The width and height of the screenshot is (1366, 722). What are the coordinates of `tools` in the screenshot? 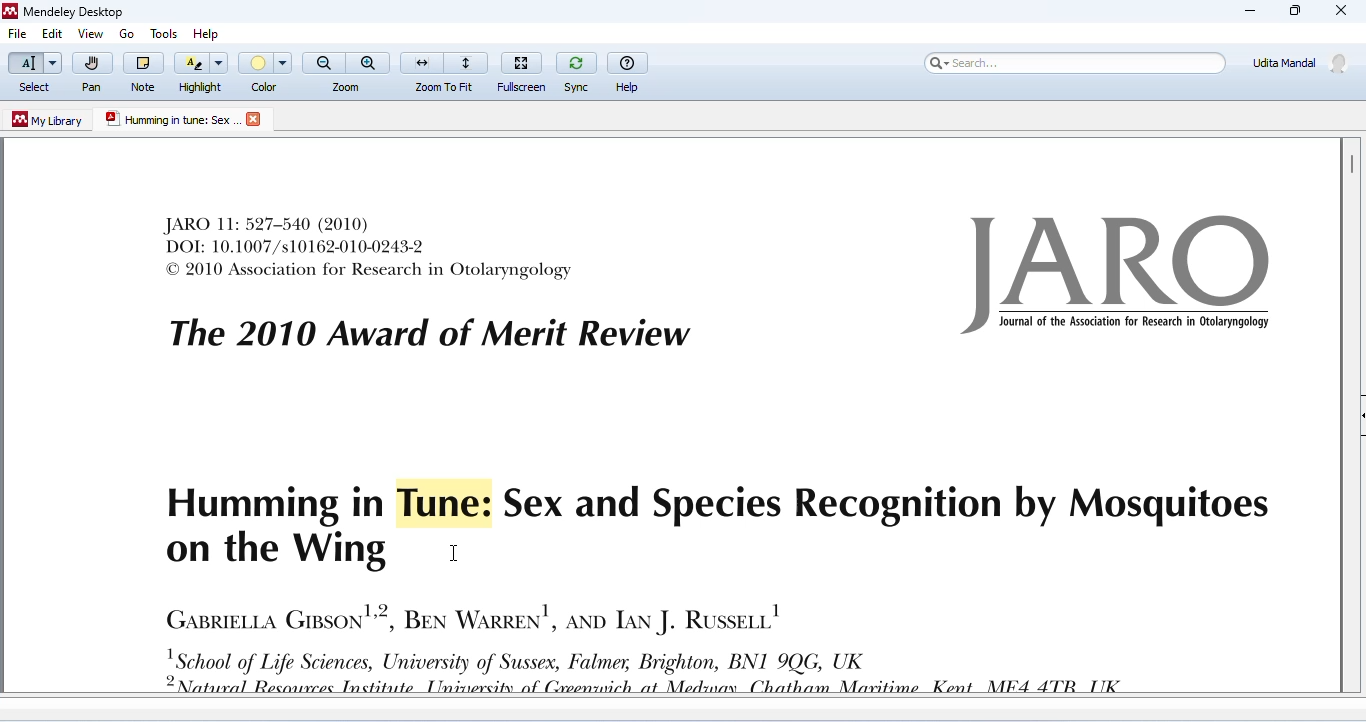 It's located at (161, 30).